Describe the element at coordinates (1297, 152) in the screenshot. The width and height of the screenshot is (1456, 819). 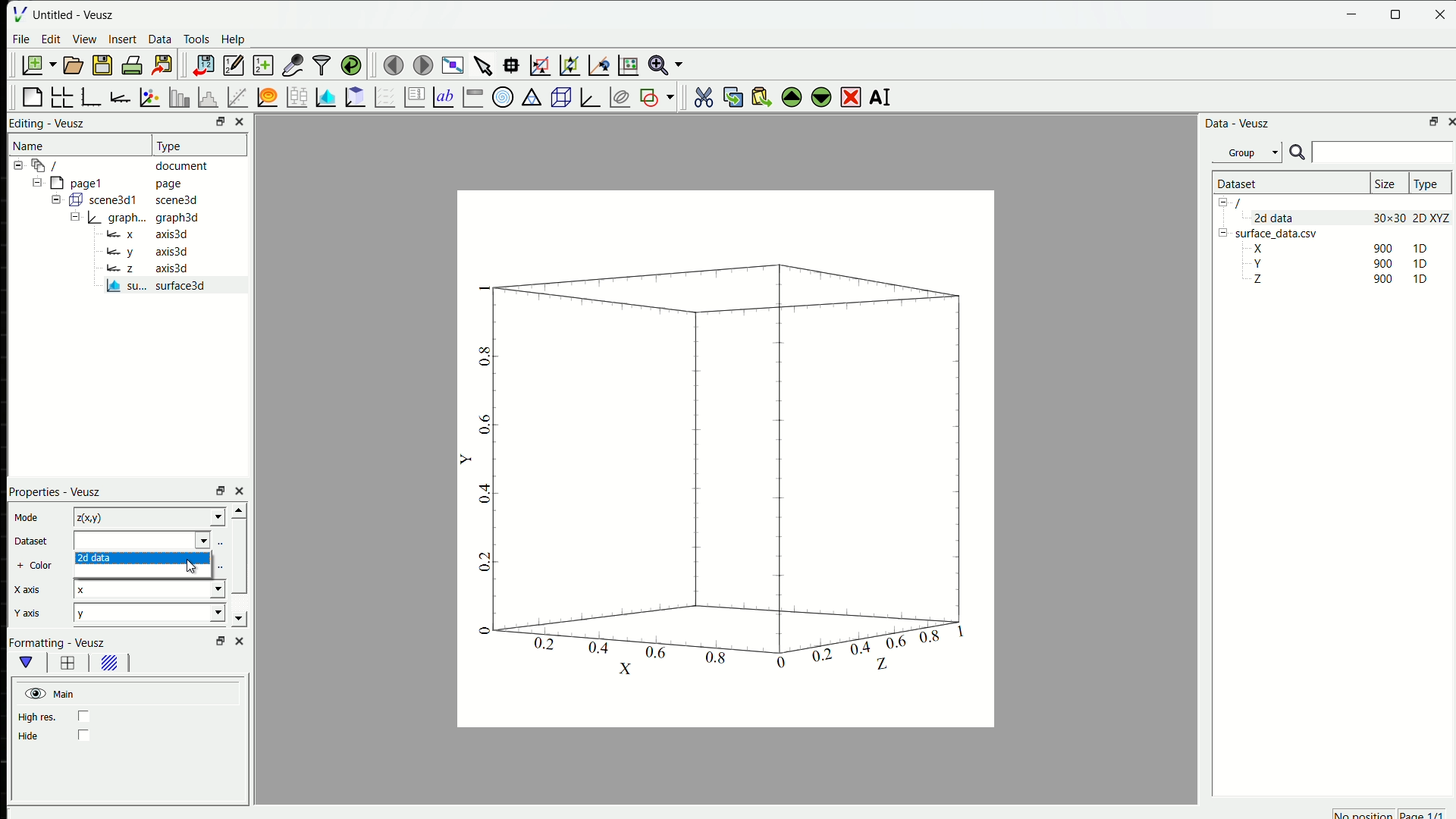
I see `search icon` at that location.